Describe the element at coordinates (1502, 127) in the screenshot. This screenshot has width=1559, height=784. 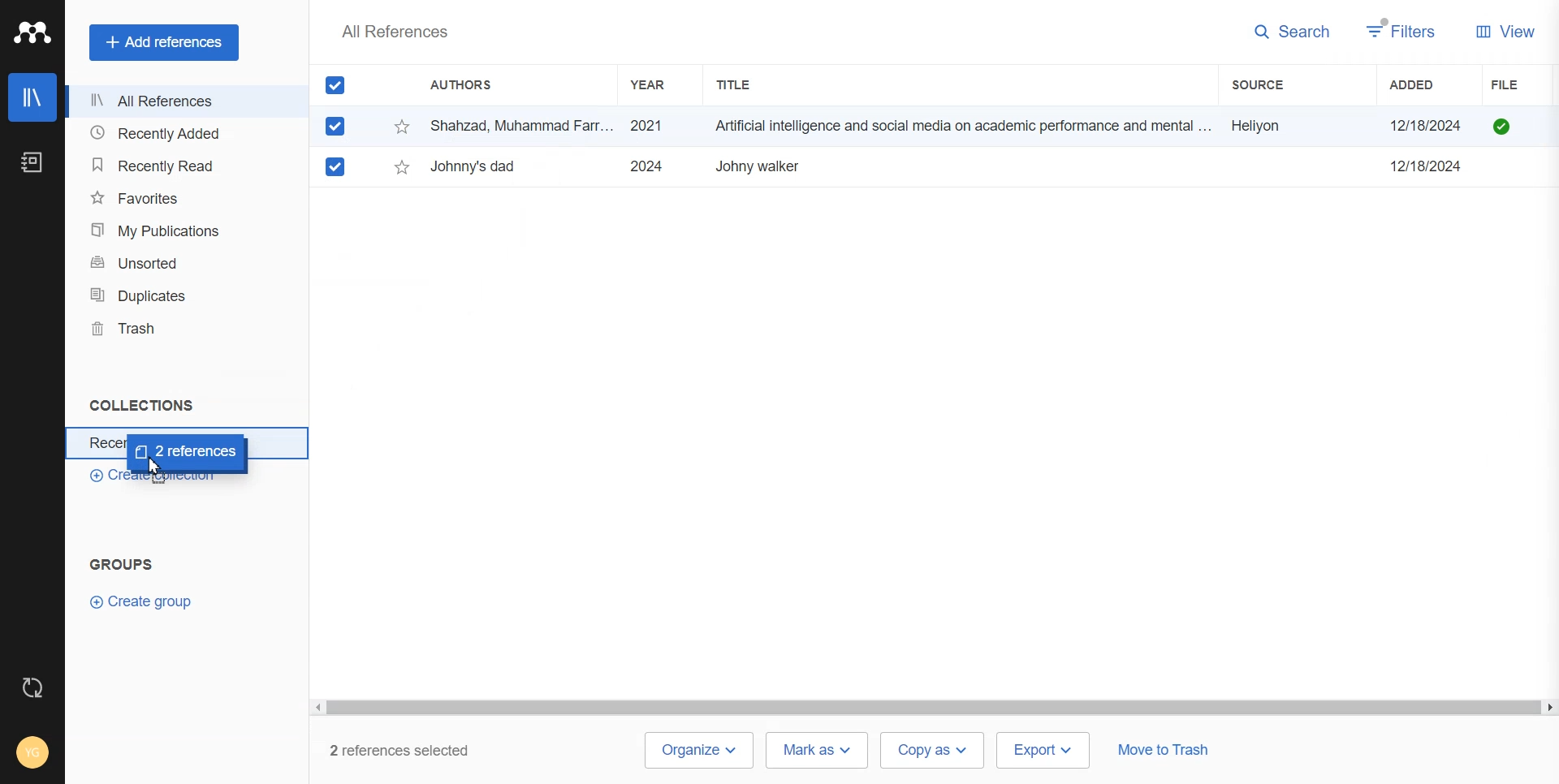
I see `file available` at that location.